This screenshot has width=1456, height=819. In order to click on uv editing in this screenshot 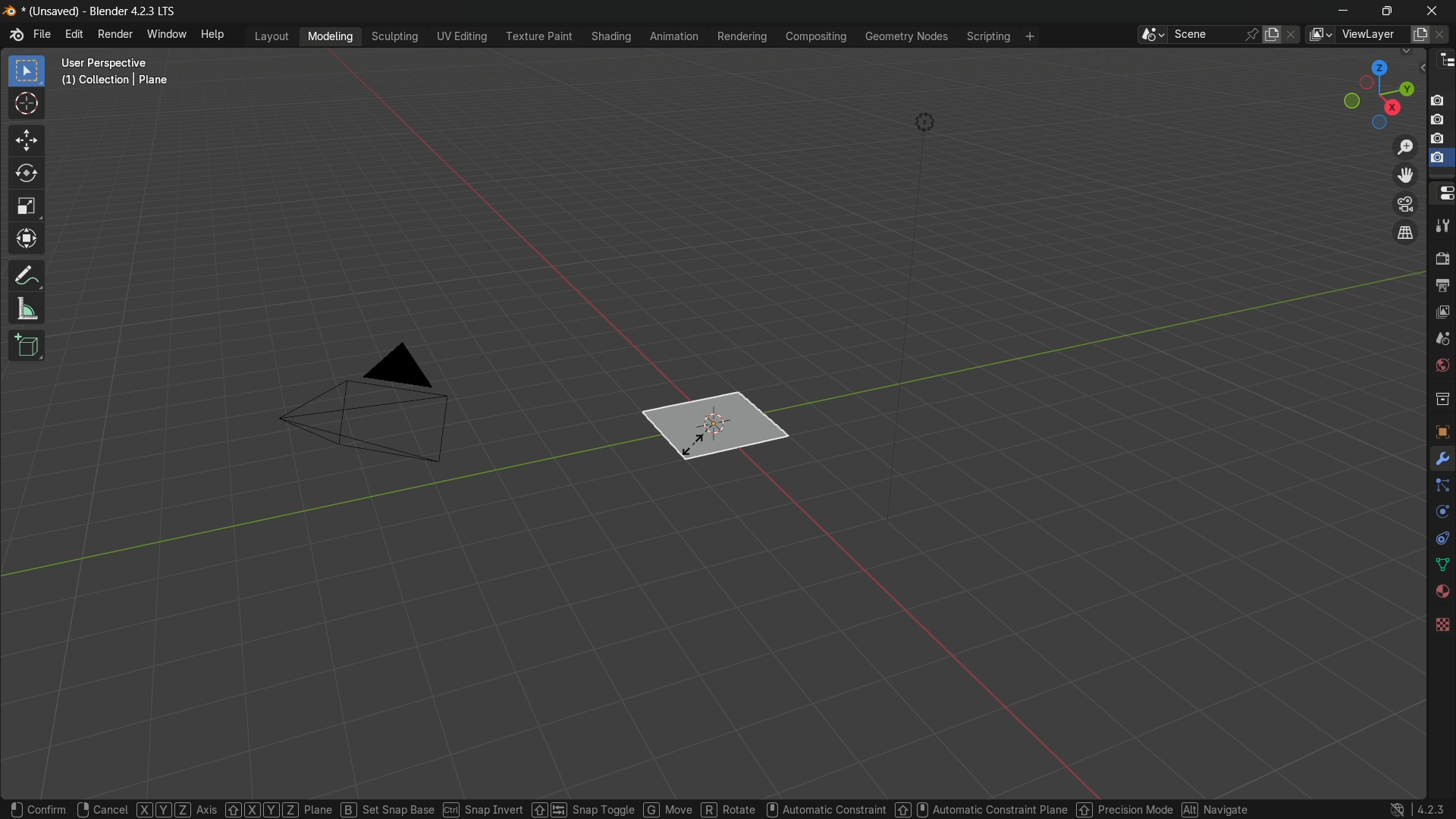, I will do `click(463, 37)`.